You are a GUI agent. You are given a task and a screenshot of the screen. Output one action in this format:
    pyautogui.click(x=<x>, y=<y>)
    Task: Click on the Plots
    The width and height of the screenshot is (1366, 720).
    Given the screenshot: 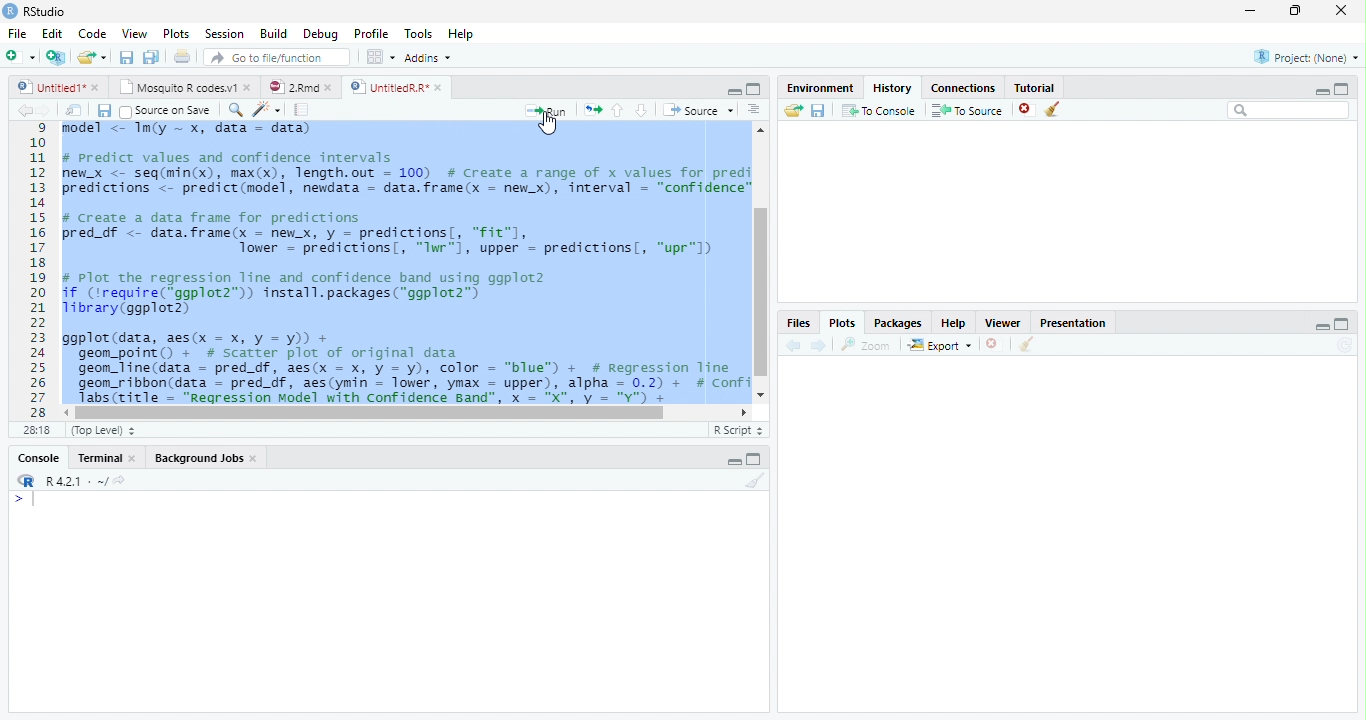 What is the action you would take?
    pyautogui.click(x=844, y=322)
    